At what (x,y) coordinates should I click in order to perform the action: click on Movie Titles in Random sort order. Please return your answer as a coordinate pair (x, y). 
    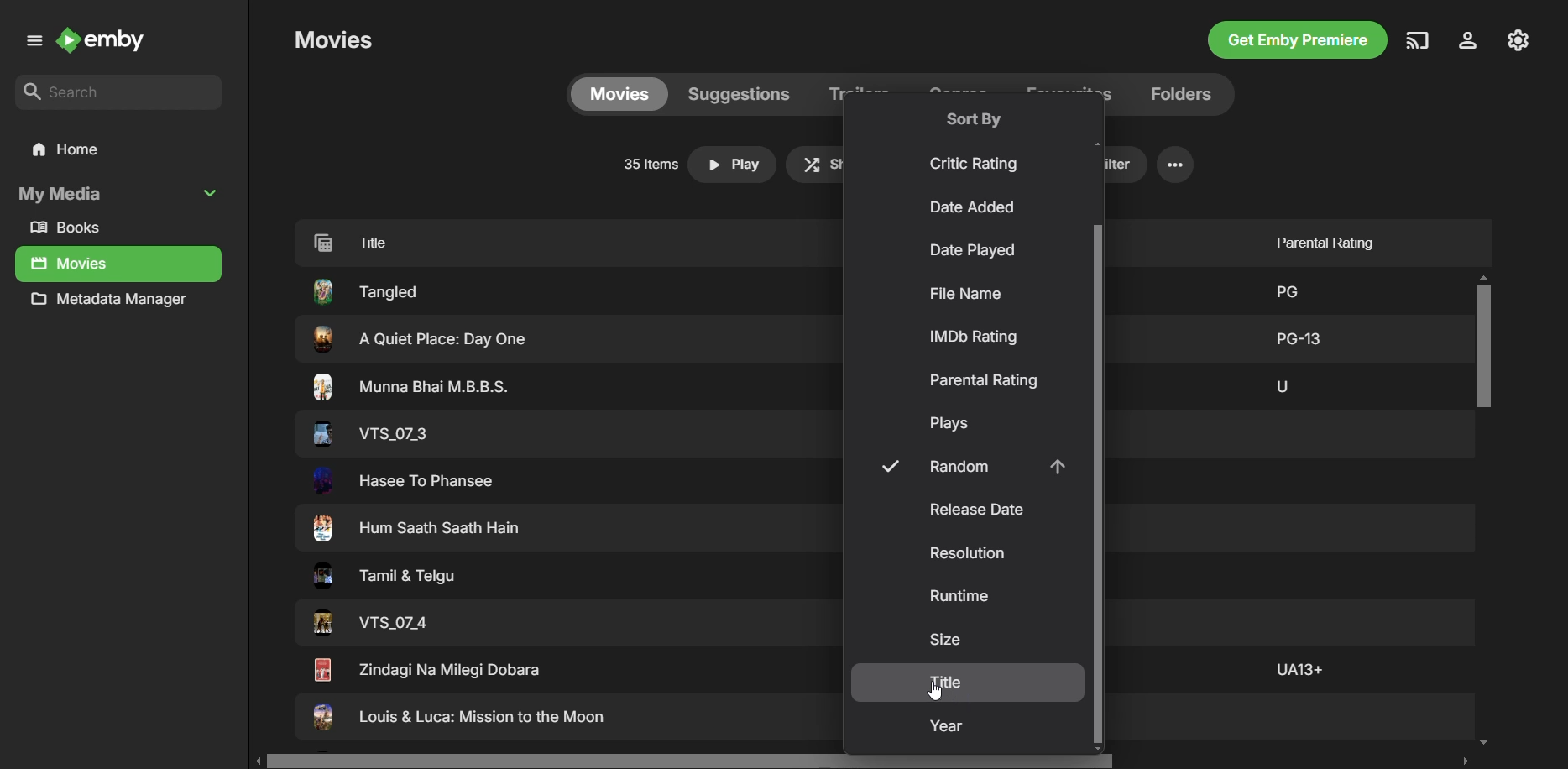
    Looking at the image, I should click on (542, 241).